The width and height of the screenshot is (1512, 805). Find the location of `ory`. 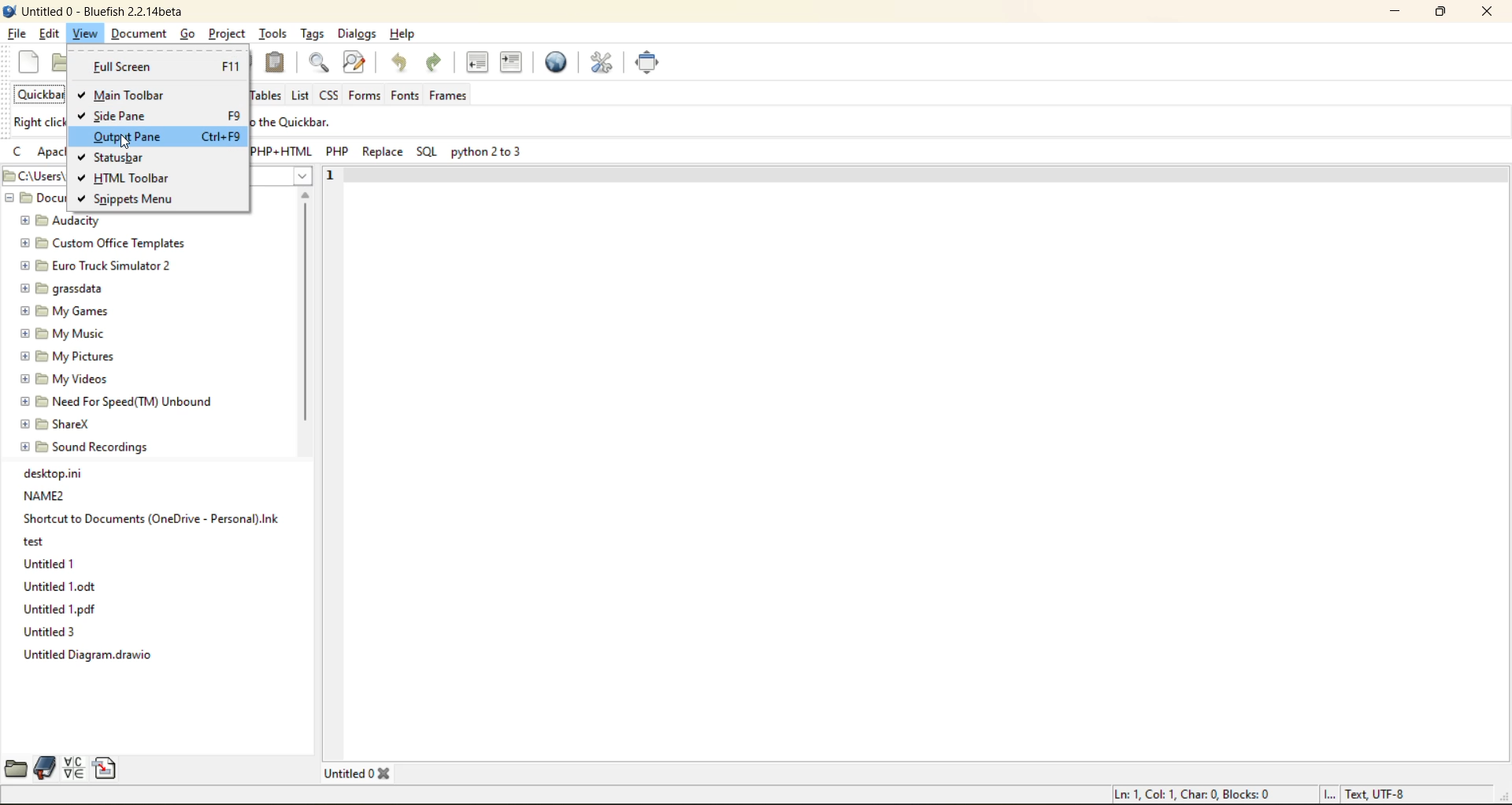

ory is located at coordinates (37, 539).